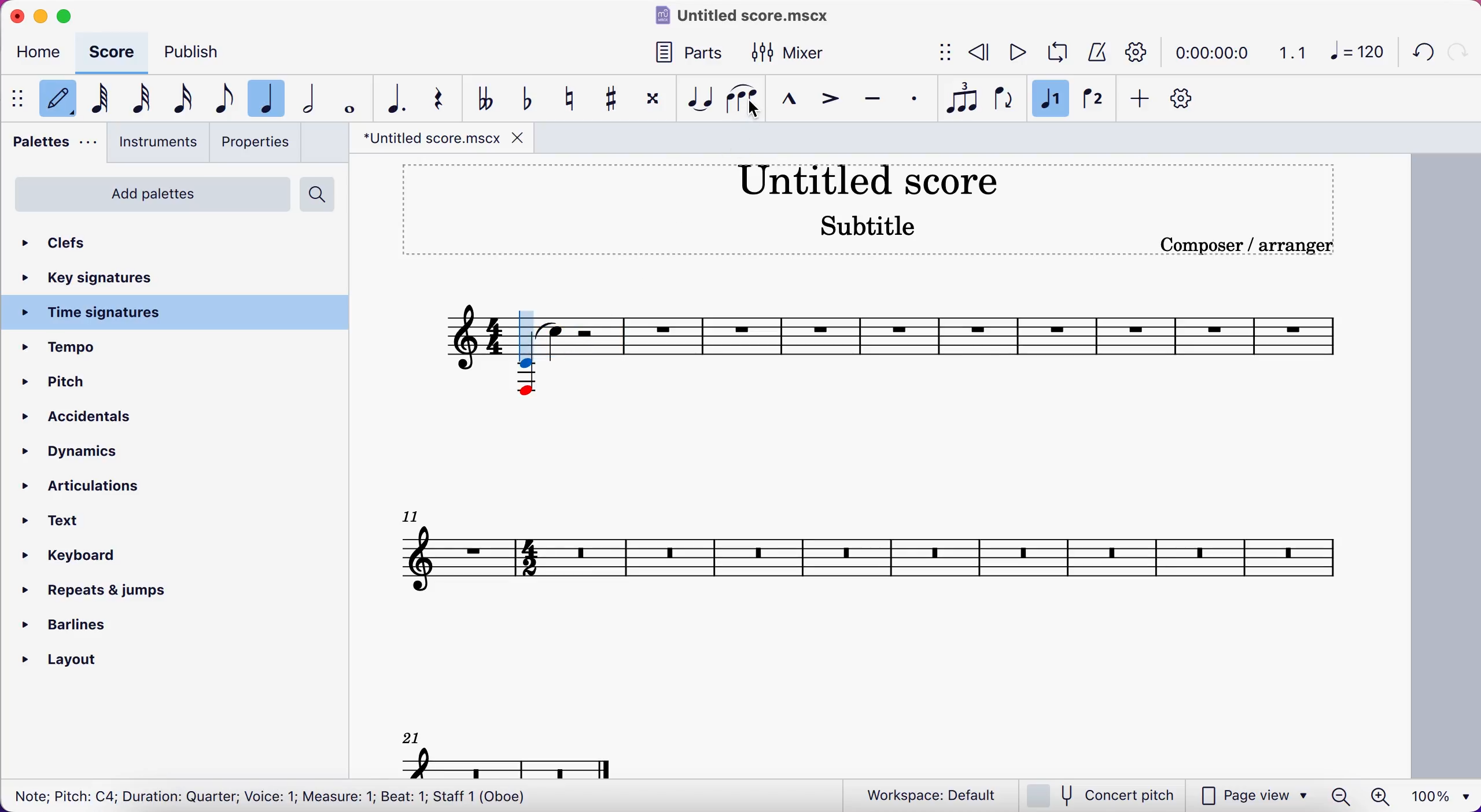 This screenshot has height=812, width=1481. What do you see at coordinates (66, 383) in the screenshot?
I see `pitch` at bounding box center [66, 383].